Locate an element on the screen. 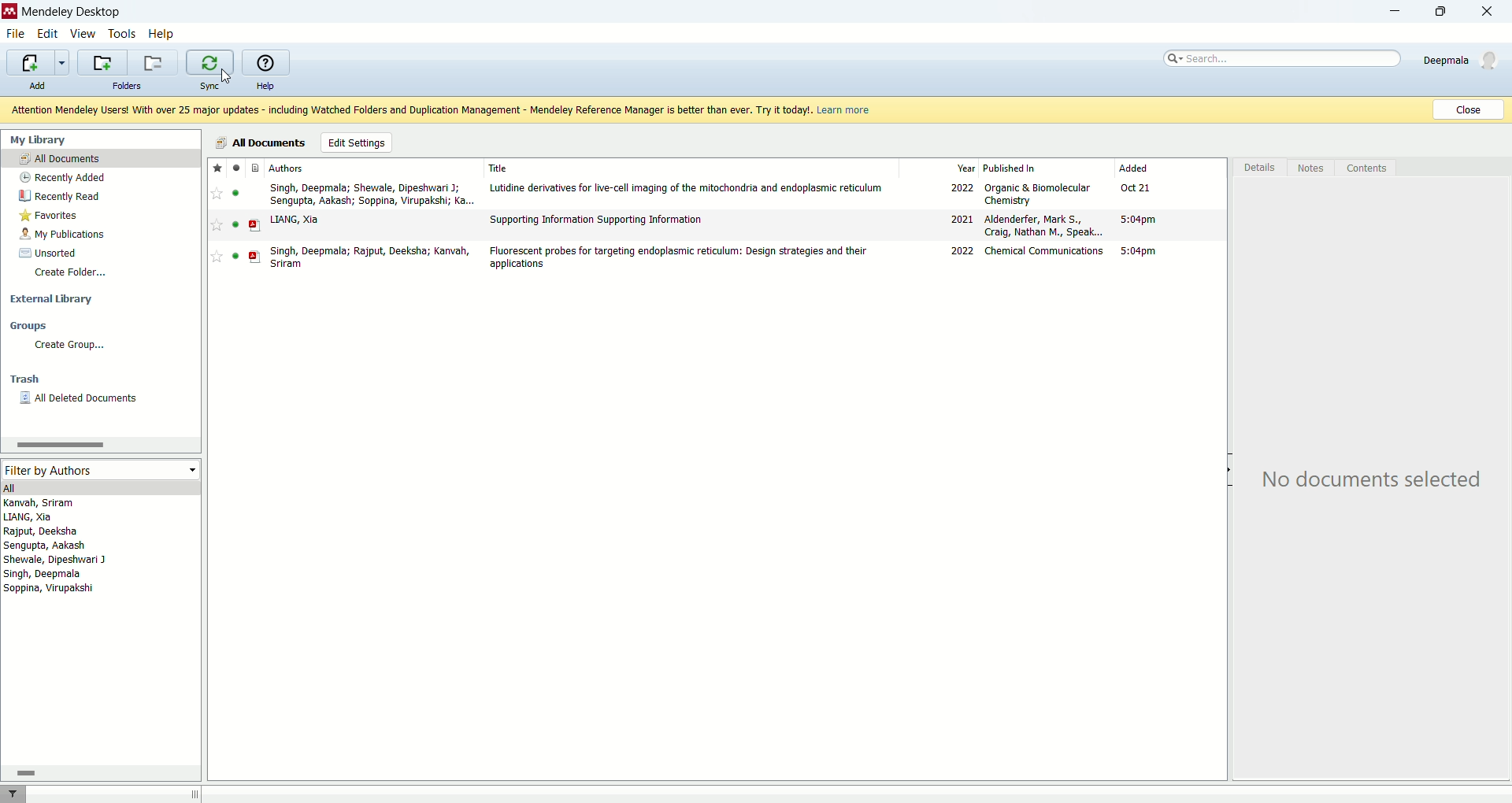 The image size is (1512, 803). create folder is located at coordinates (71, 272).